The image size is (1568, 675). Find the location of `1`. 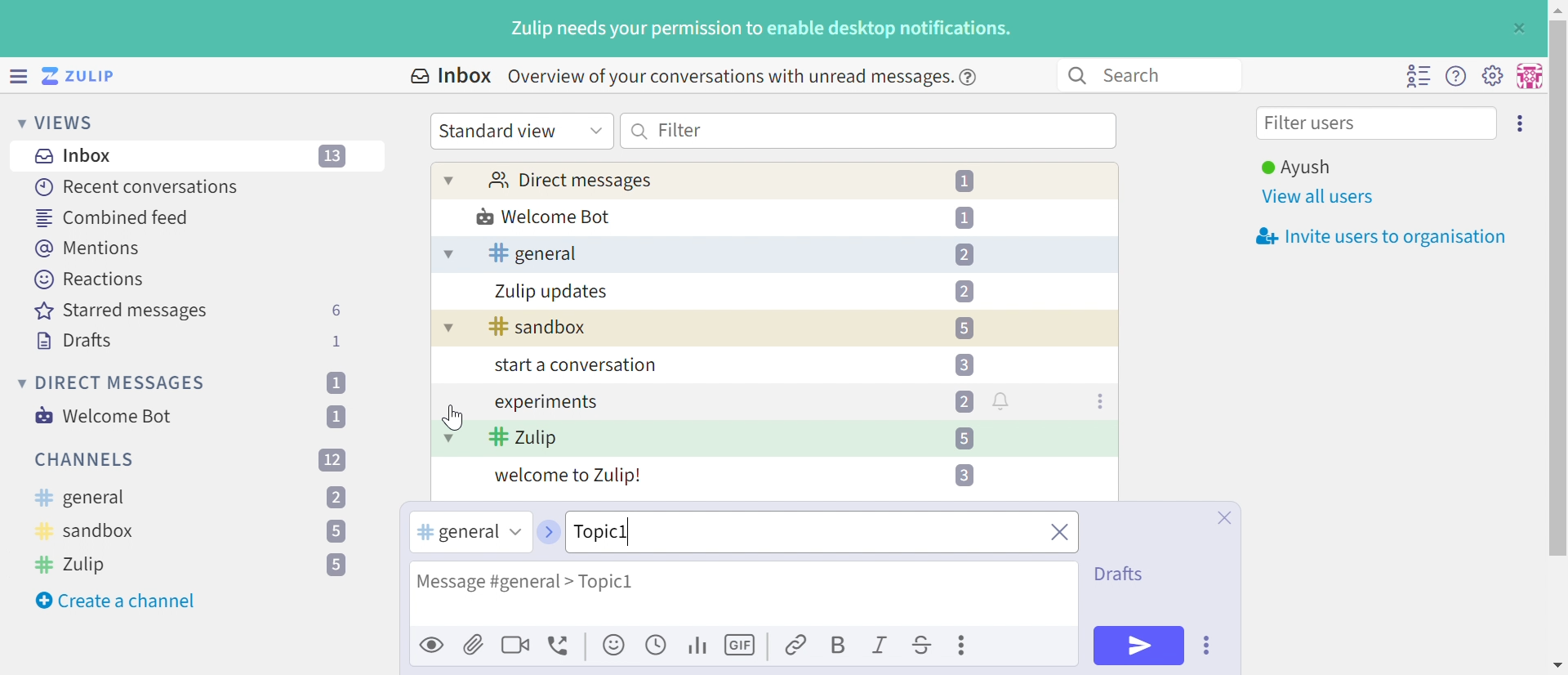

1 is located at coordinates (335, 382).